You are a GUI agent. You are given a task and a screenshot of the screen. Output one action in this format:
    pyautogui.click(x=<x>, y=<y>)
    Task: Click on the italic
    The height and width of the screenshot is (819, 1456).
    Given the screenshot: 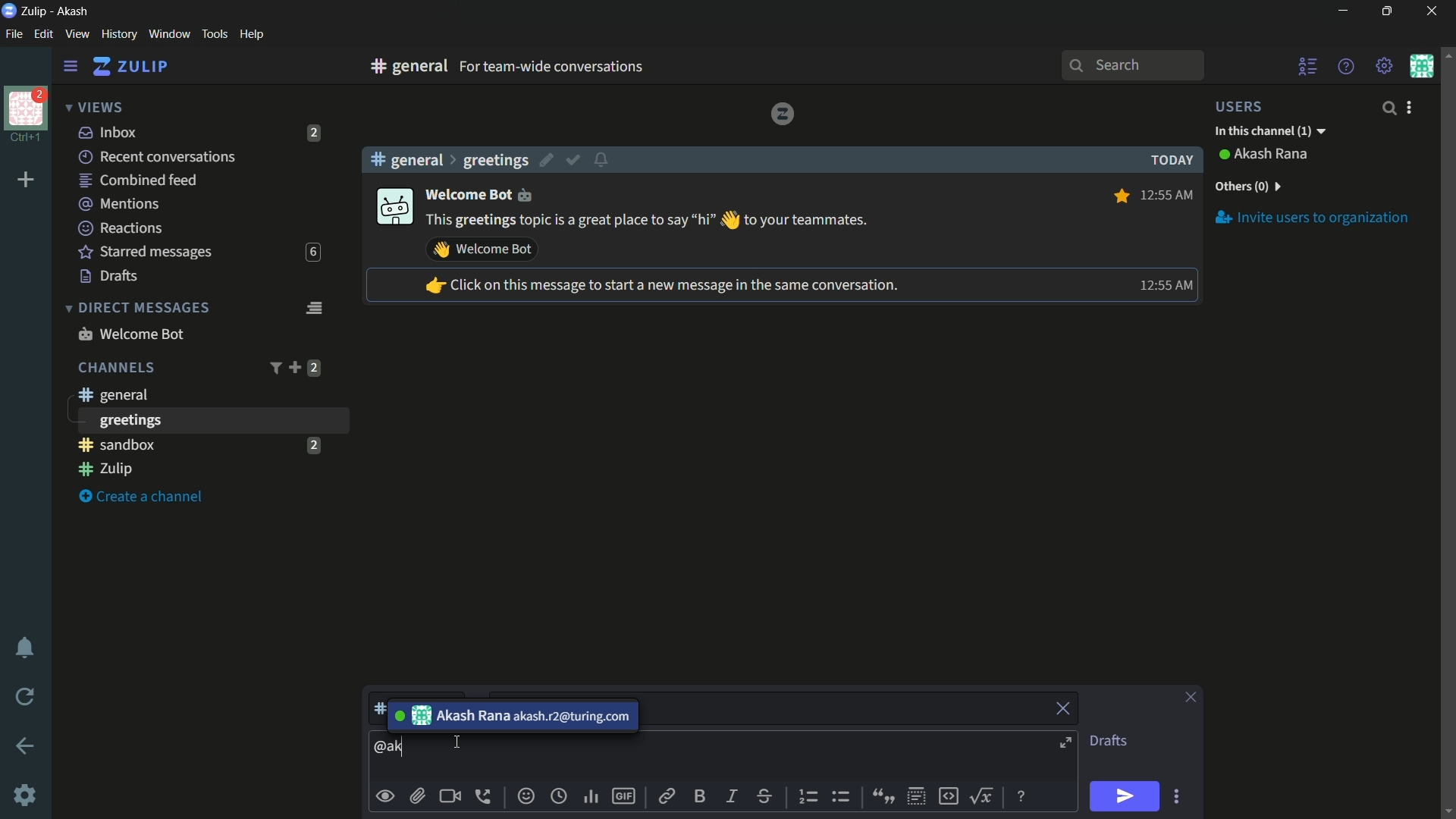 What is the action you would take?
    pyautogui.click(x=730, y=795)
    